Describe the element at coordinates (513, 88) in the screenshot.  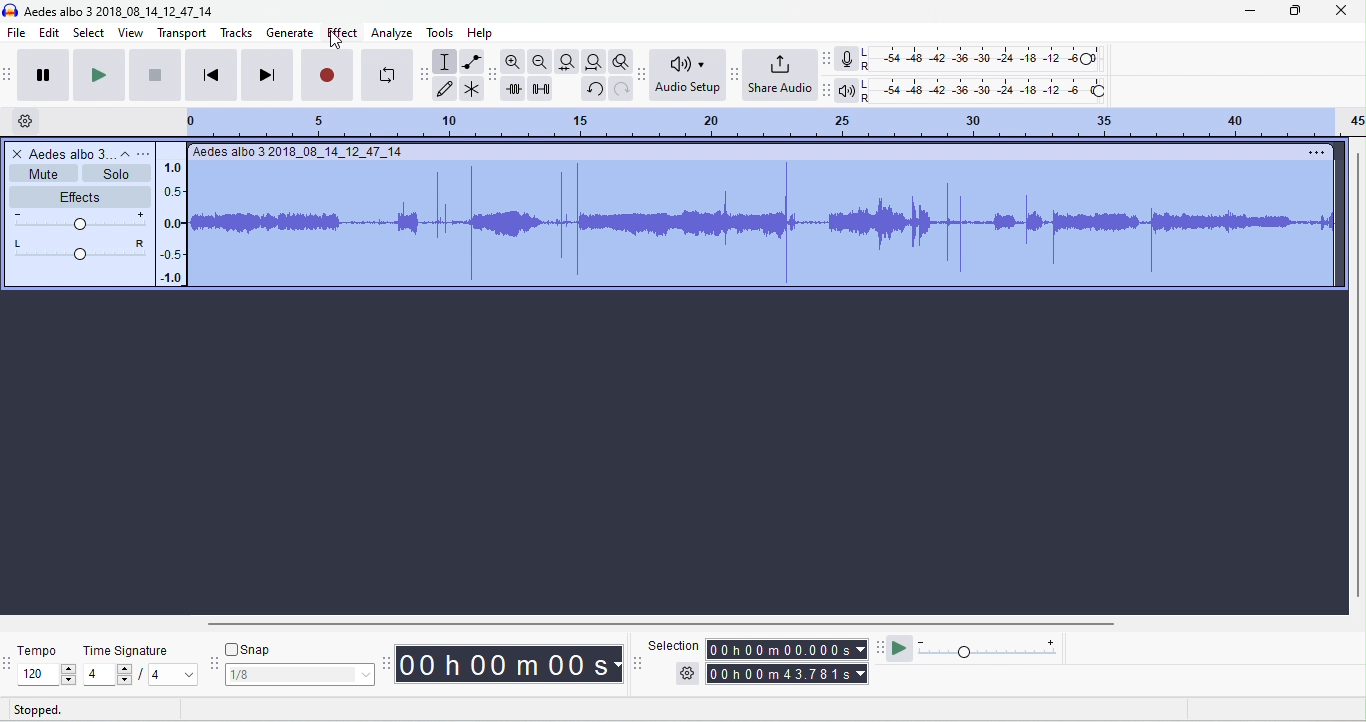
I see `trim outside selection` at that location.